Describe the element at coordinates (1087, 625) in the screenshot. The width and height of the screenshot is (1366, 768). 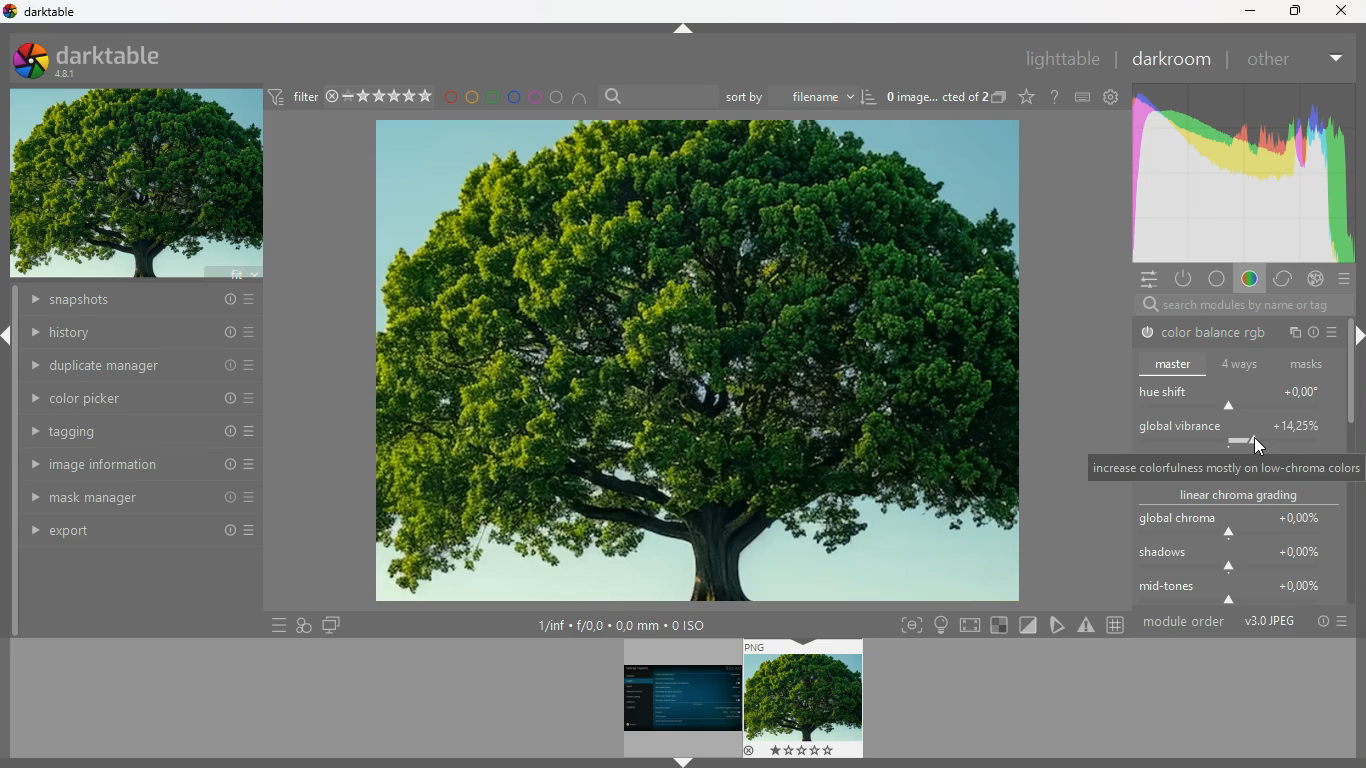
I see `warning` at that location.